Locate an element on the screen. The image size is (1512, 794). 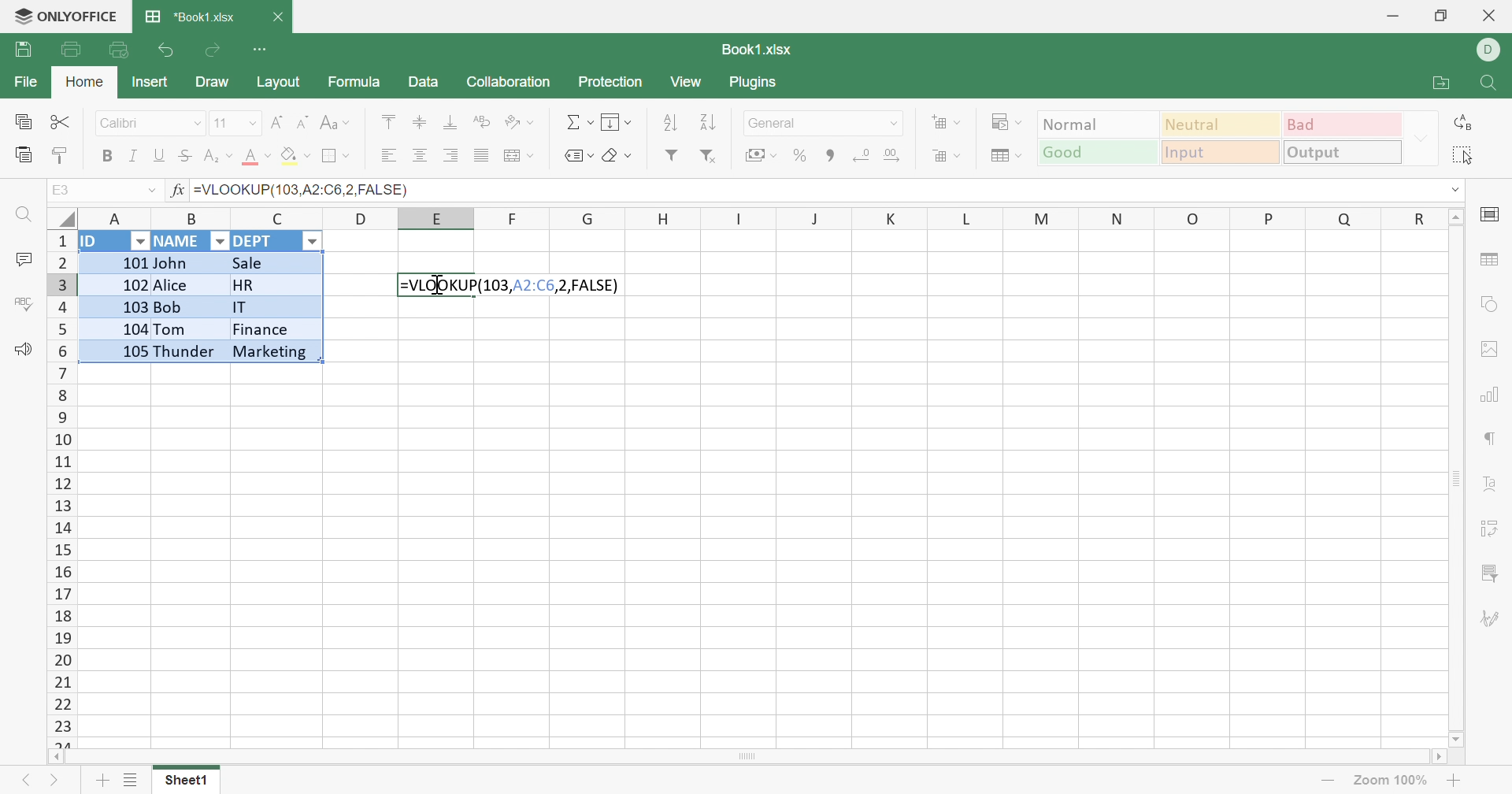
Align Bottom is located at coordinates (448, 121).